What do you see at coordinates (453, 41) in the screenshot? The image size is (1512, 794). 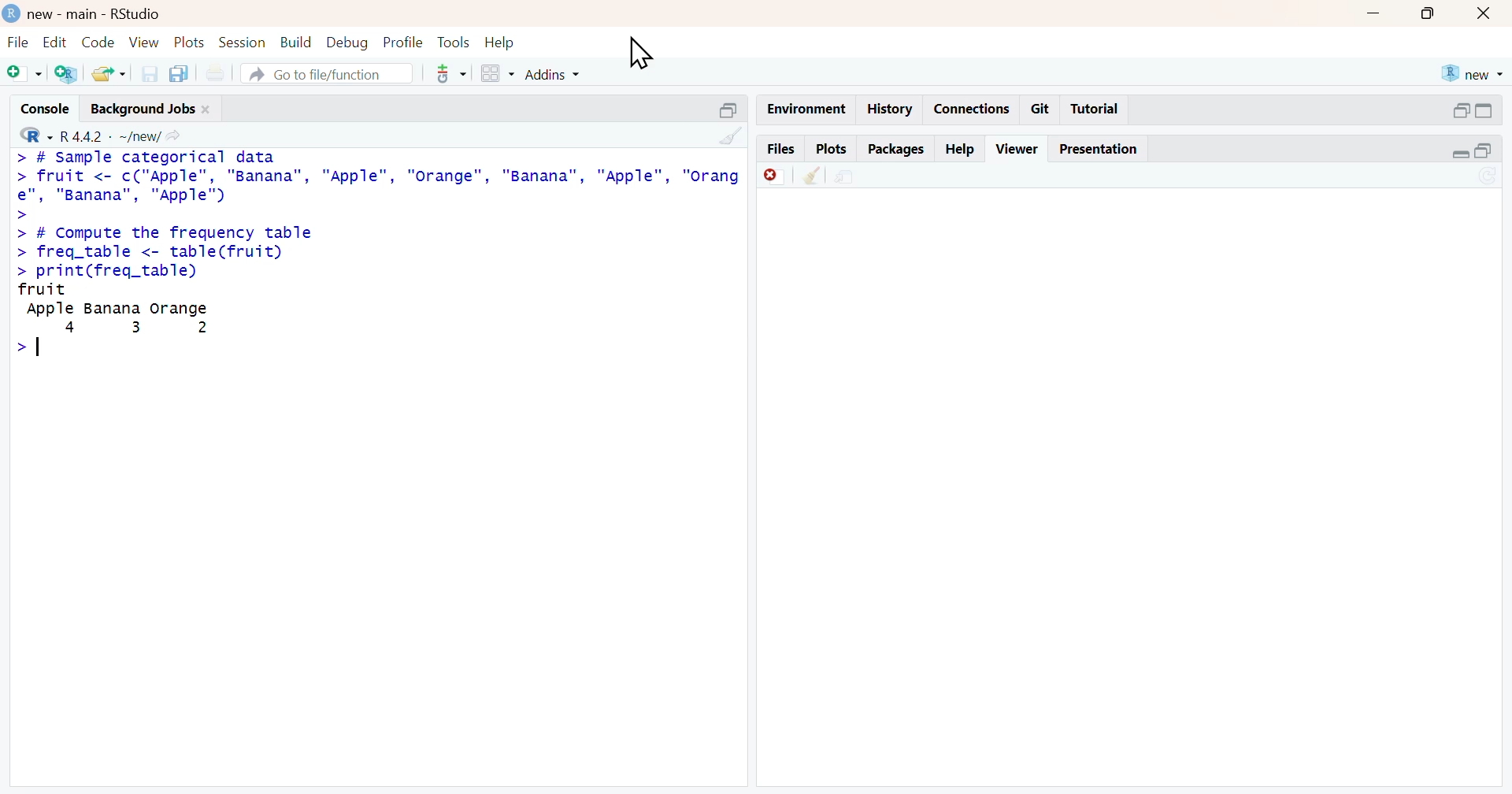 I see `tools` at bounding box center [453, 41].